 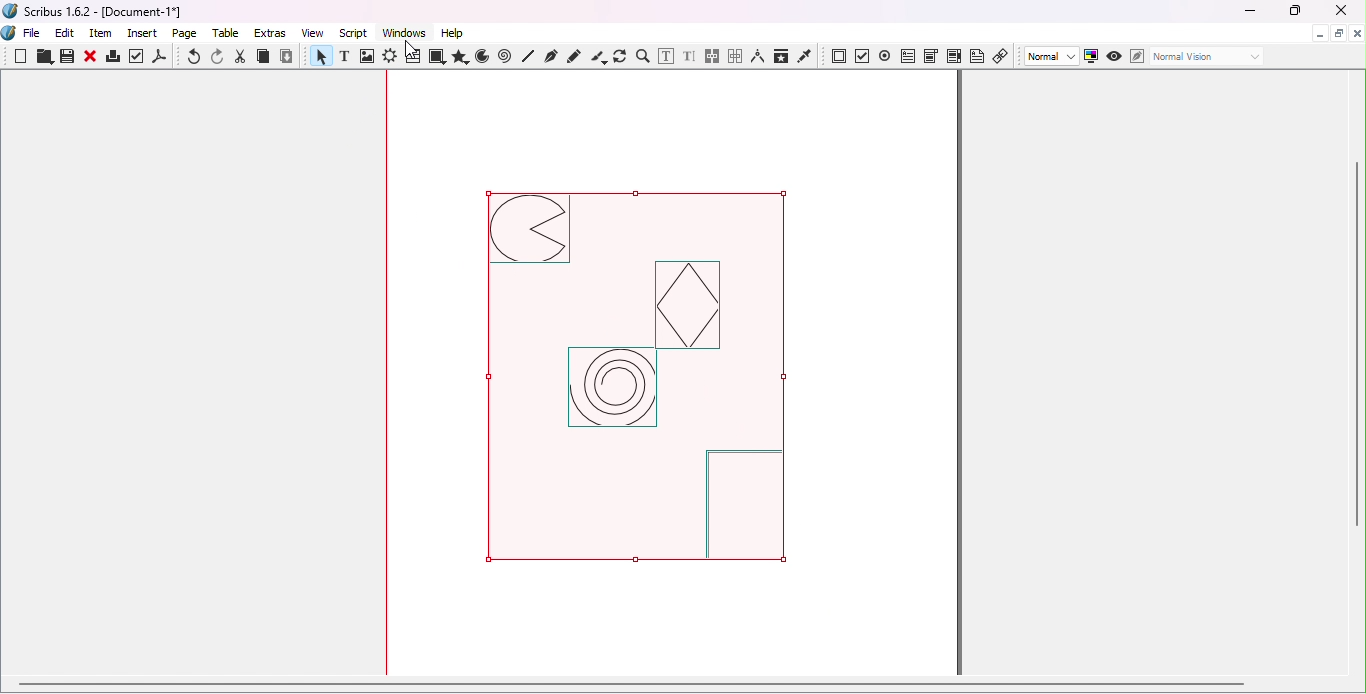 What do you see at coordinates (598, 57) in the screenshot?
I see `Calligraphic line` at bounding box center [598, 57].